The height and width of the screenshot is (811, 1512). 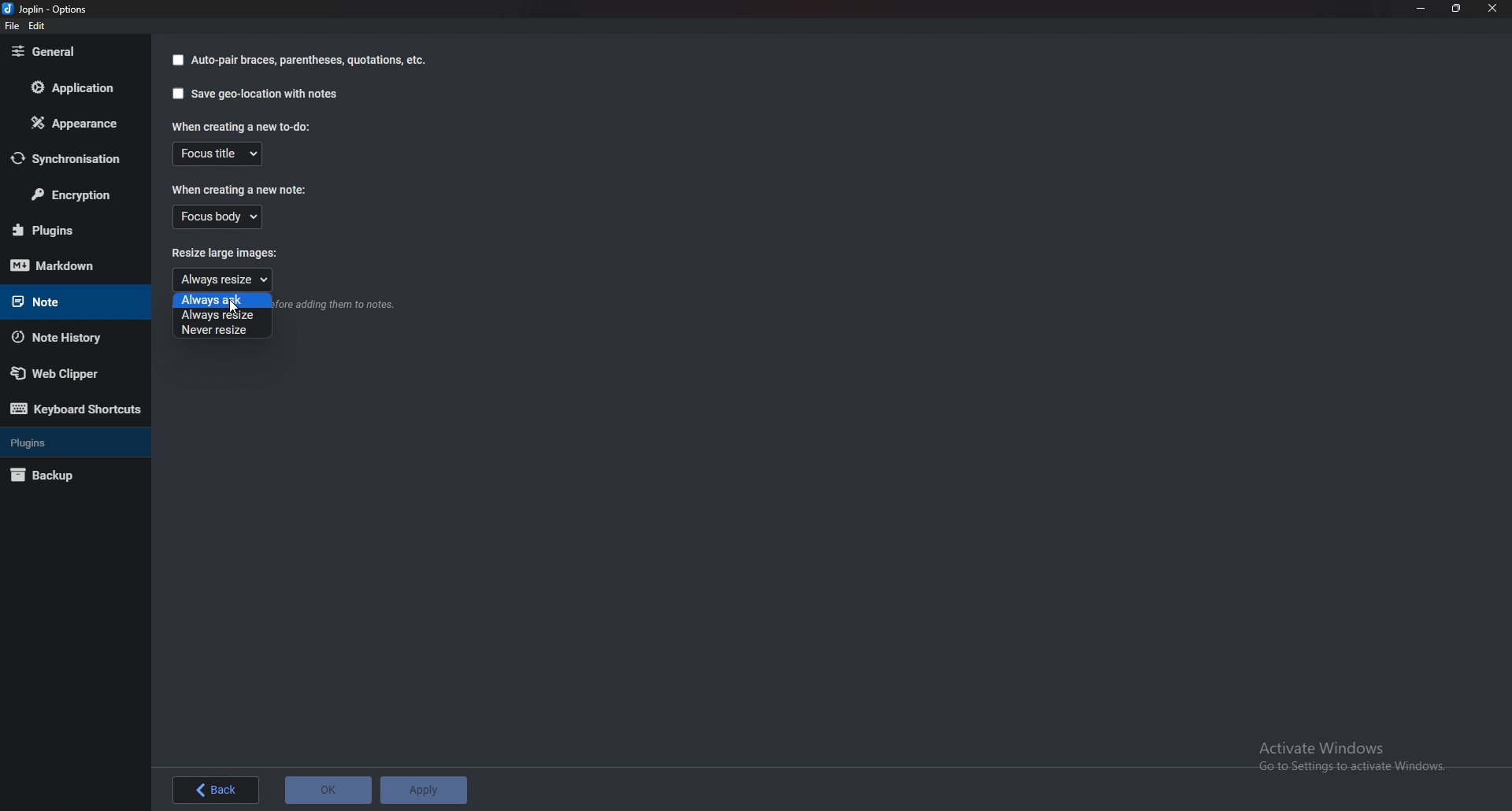 I want to click on Plugins, so click(x=69, y=230).